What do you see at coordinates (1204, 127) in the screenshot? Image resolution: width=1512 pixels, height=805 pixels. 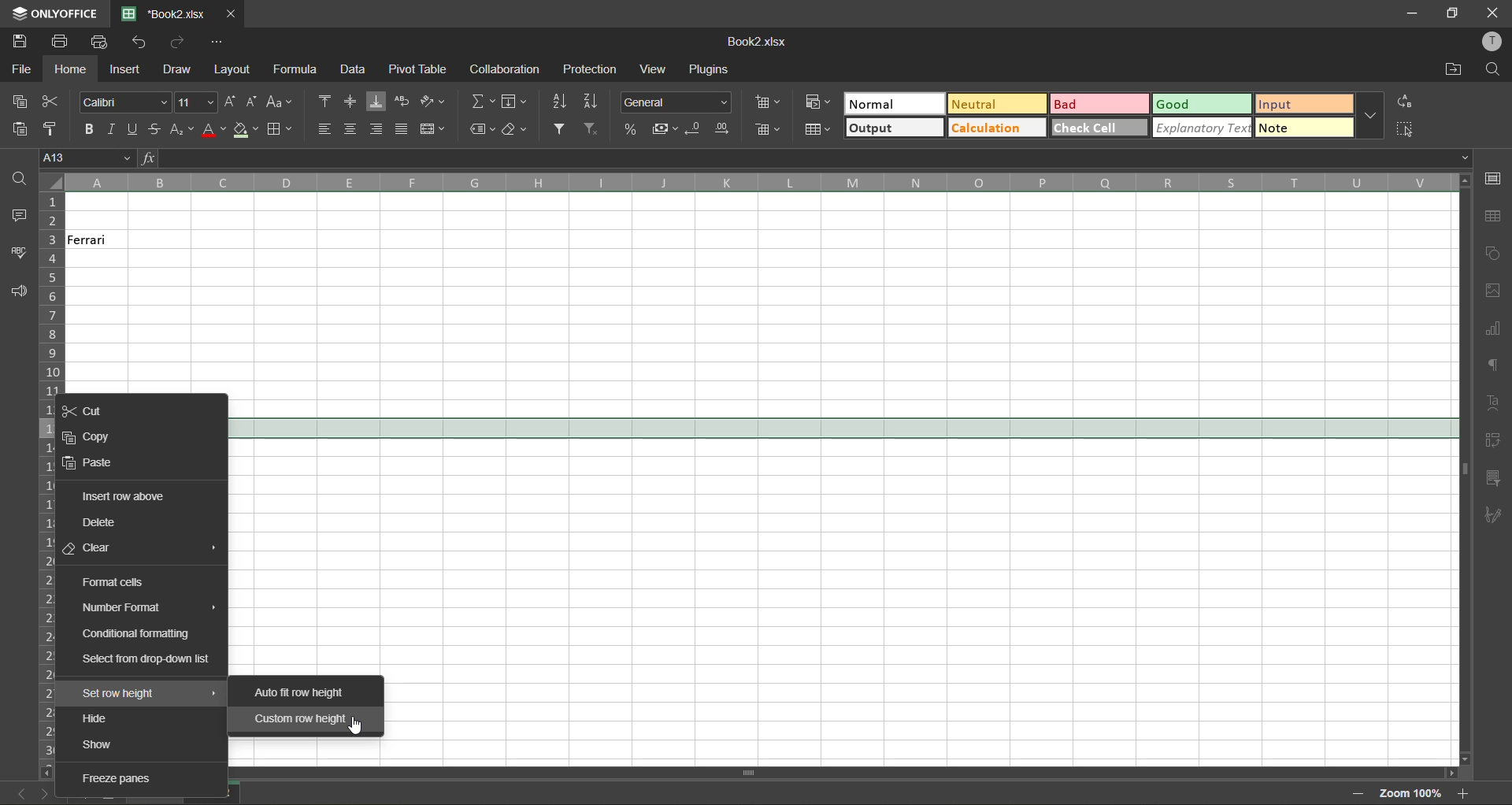 I see `explanatory text` at bounding box center [1204, 127].